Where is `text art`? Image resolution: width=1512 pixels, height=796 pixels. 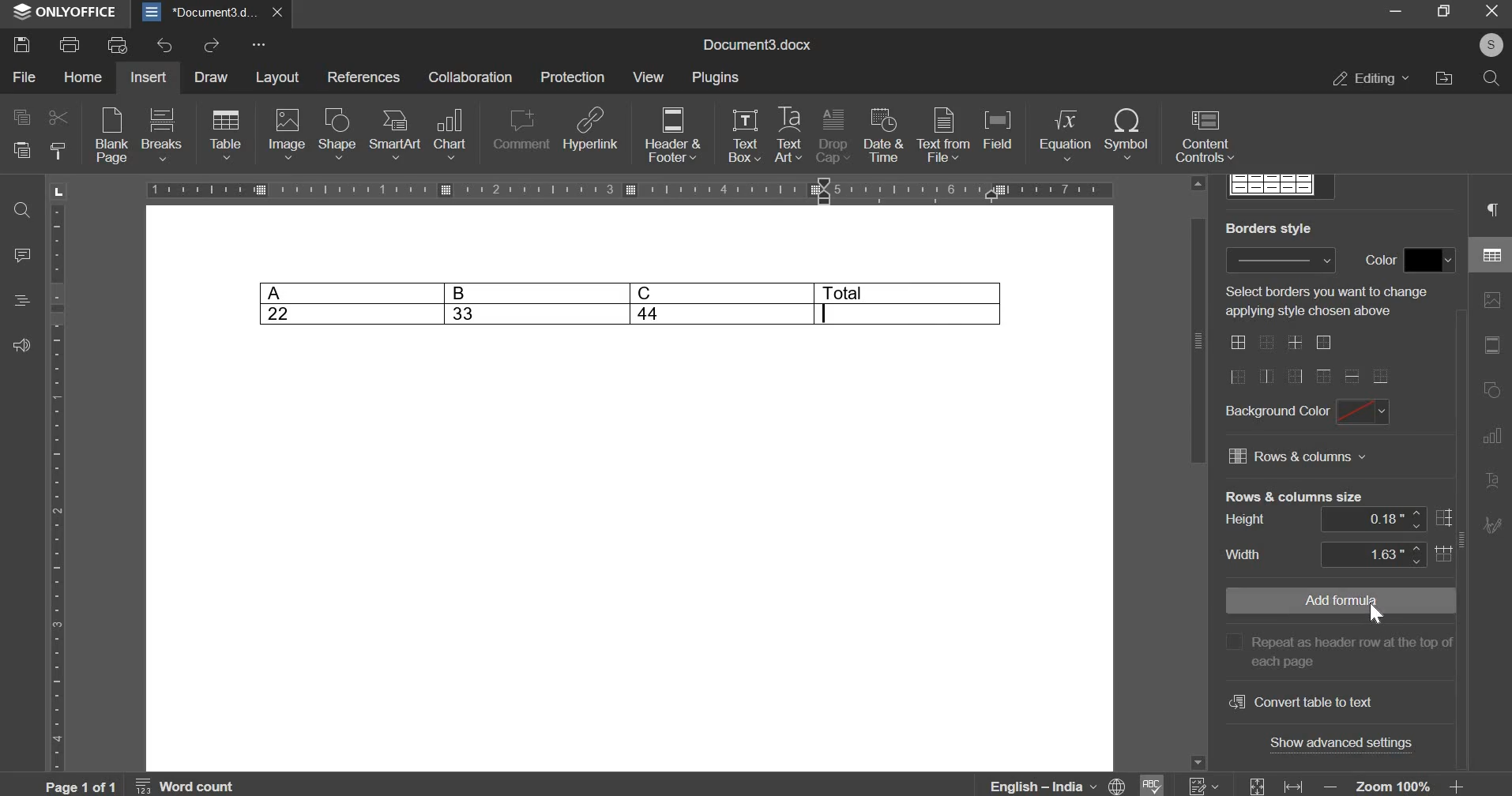
text art is located at coordinates (788, 135).